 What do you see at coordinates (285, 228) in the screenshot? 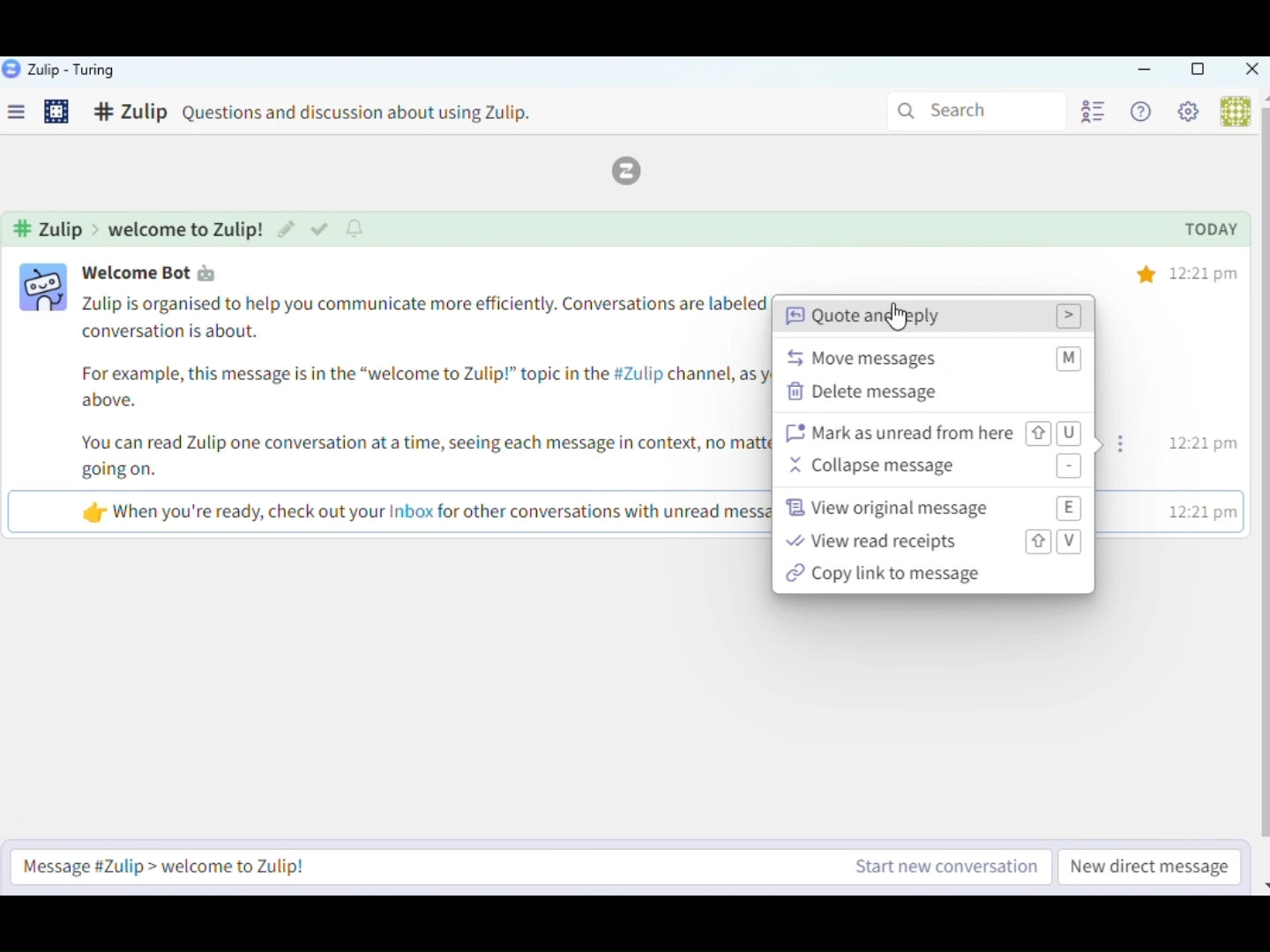
I see `edit` at bounding box center [285, 228].